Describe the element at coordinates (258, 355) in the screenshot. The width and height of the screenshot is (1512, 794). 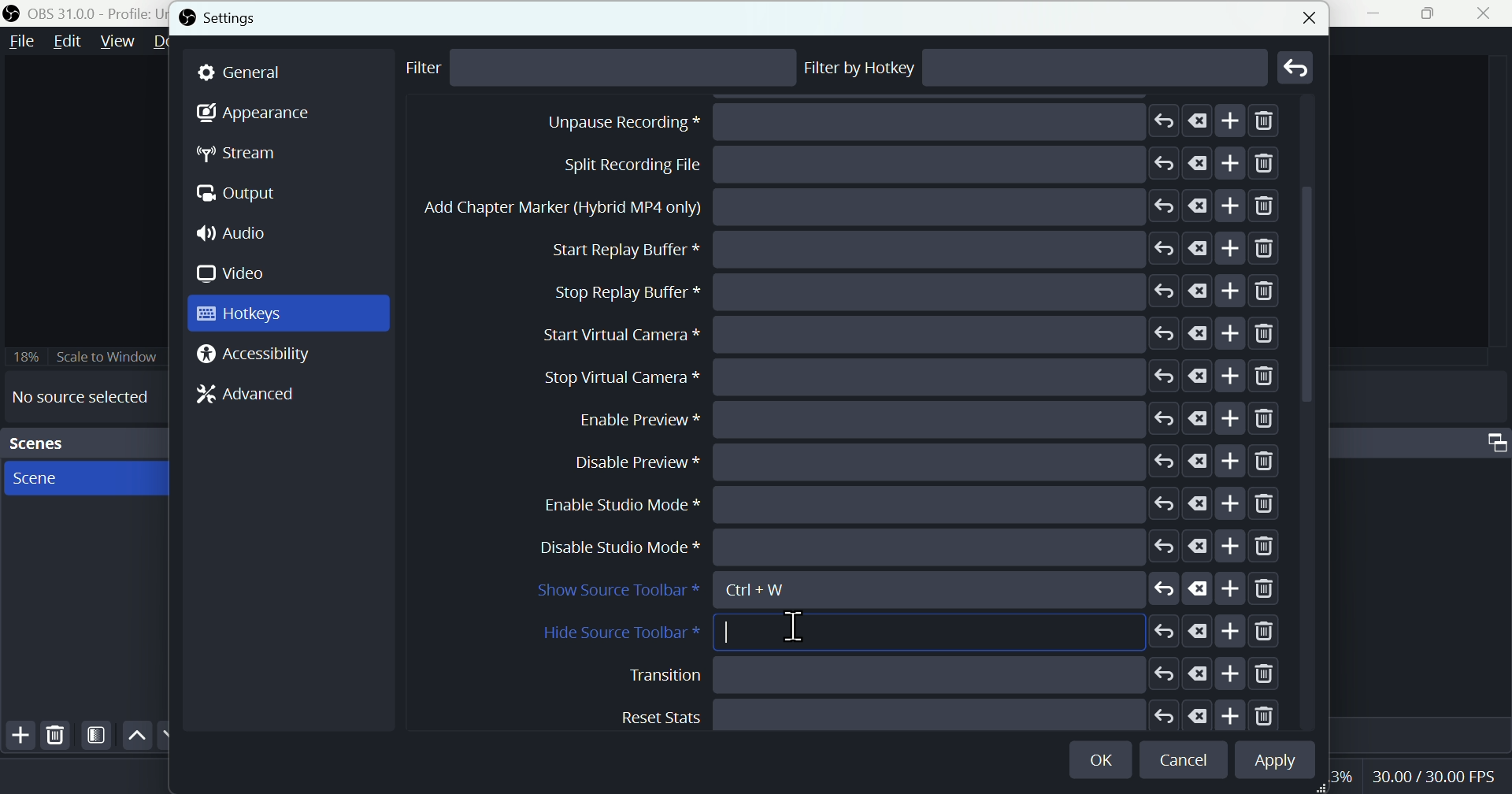
I see `Accessibility` at that location.